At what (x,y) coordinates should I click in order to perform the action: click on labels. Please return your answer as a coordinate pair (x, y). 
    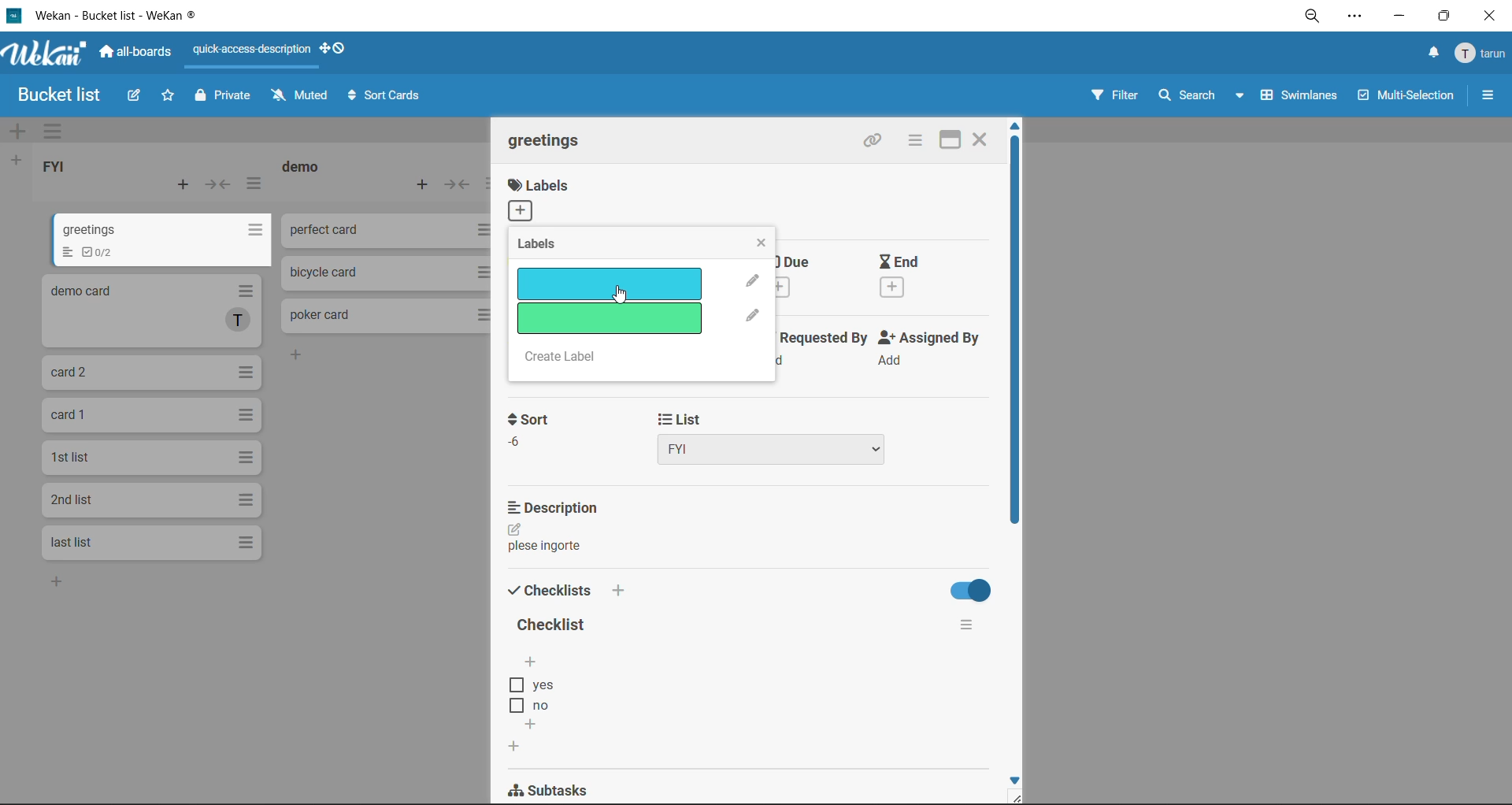
    Looking at the image, I should click on (546, 201).